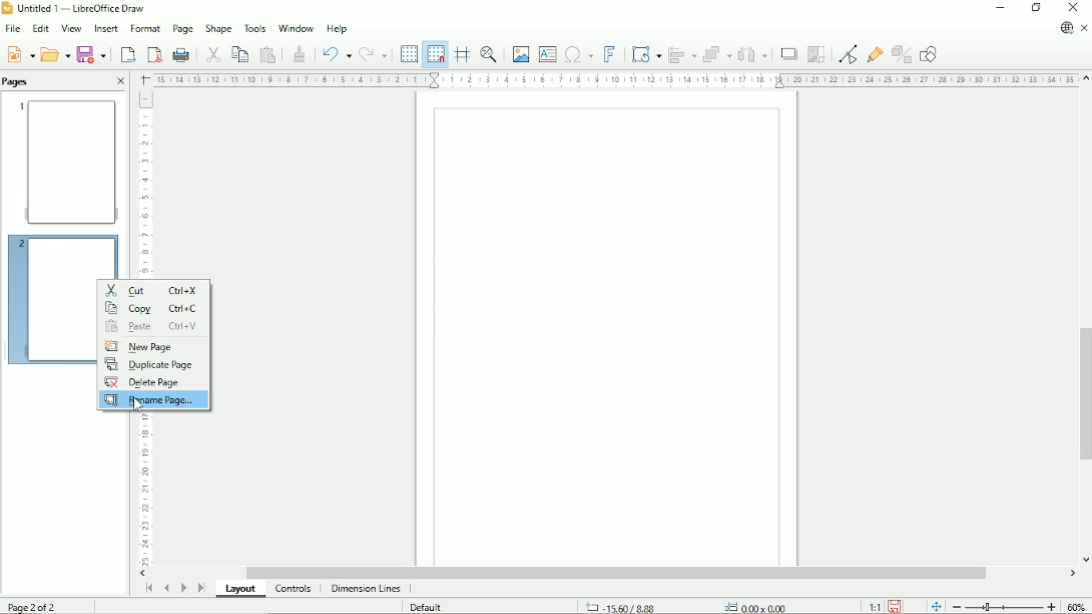 This screenshot has height=614, width=1092. What do you see at coordinates (144, 29) in the screenshot?
I see `Format` at bounding box center [144, 29].